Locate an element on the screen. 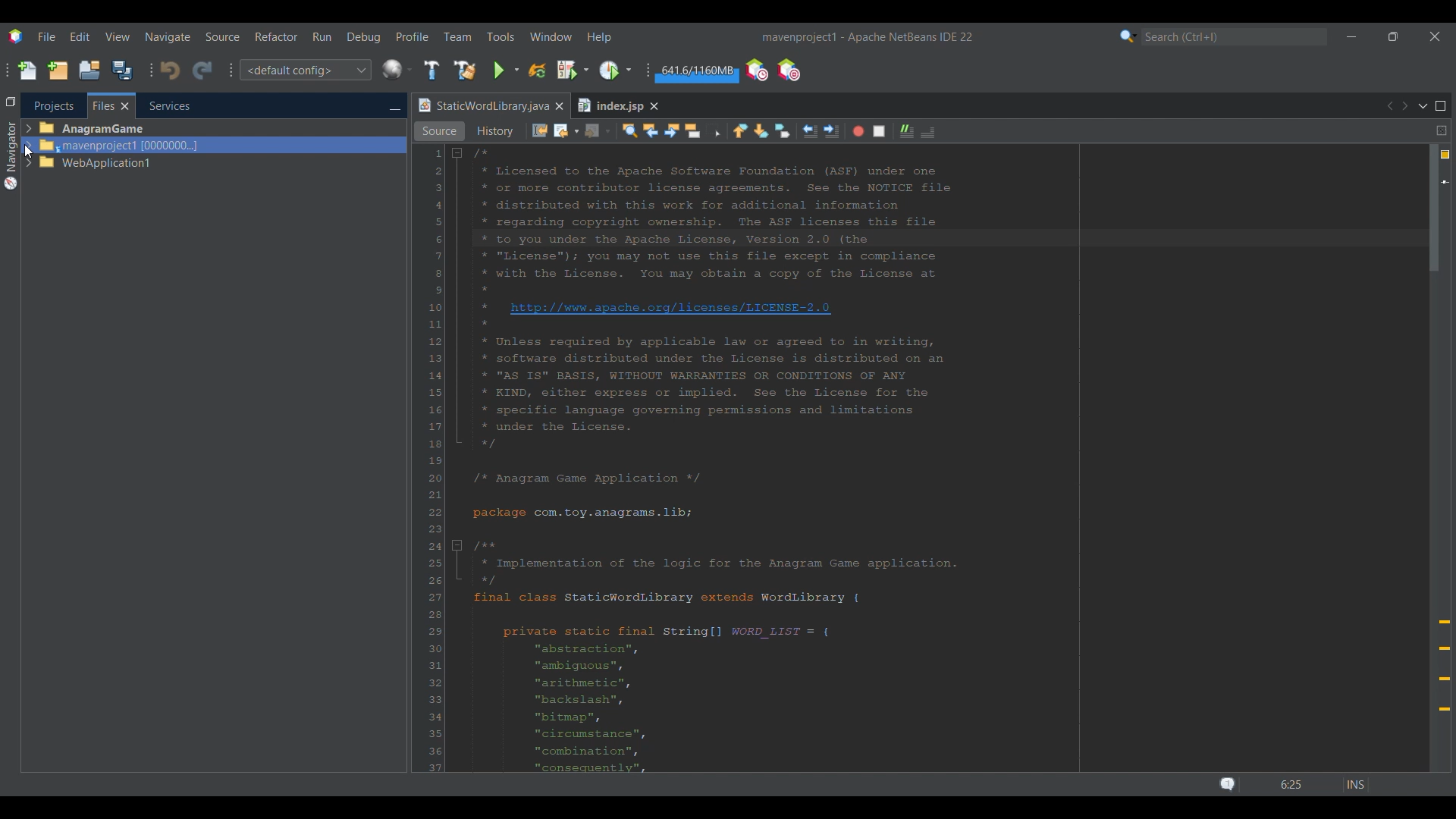  Software logo is located at coordinates (16, 37).